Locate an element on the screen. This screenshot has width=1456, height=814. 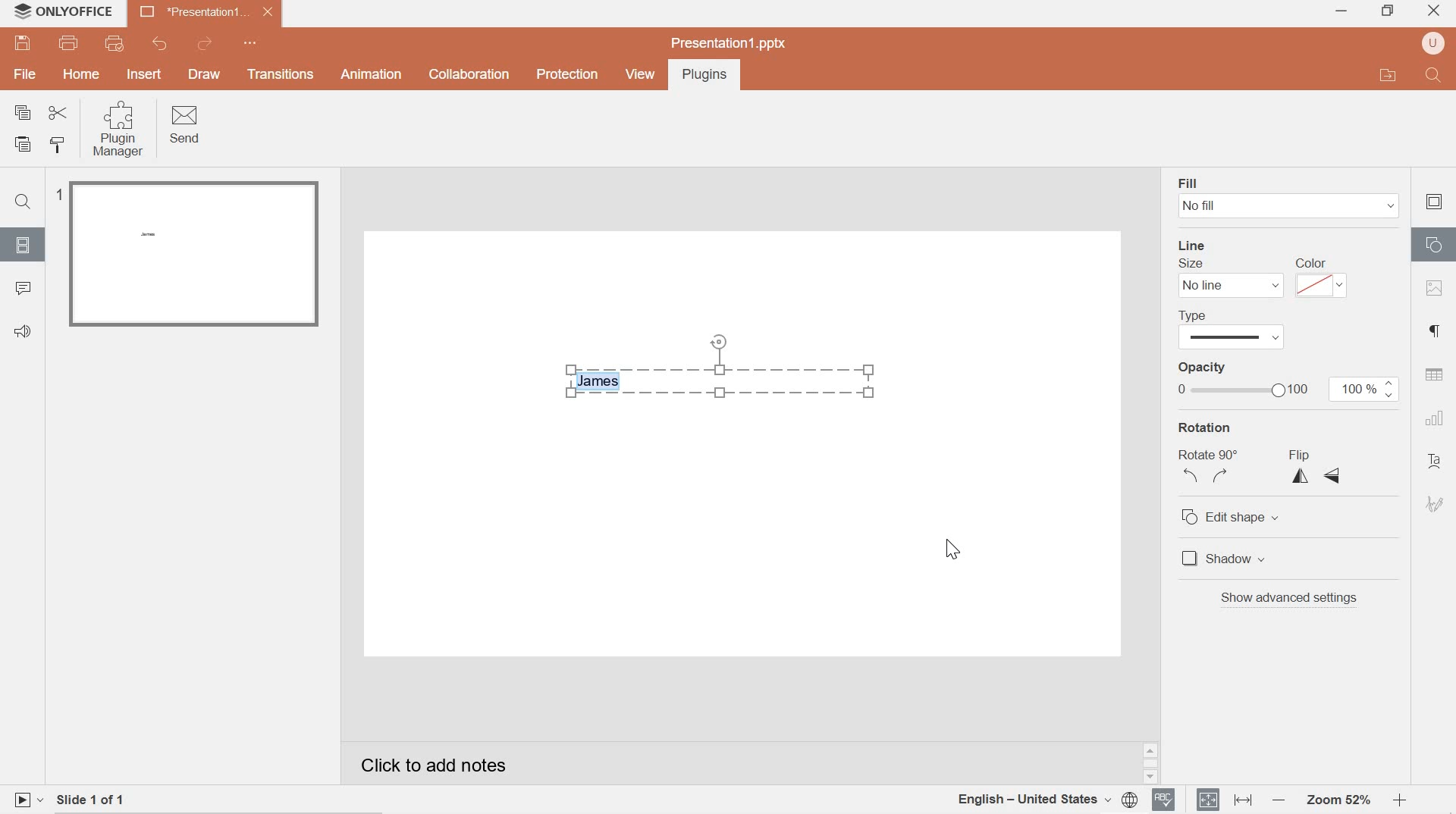
redo is located at coordinates (207, 43).